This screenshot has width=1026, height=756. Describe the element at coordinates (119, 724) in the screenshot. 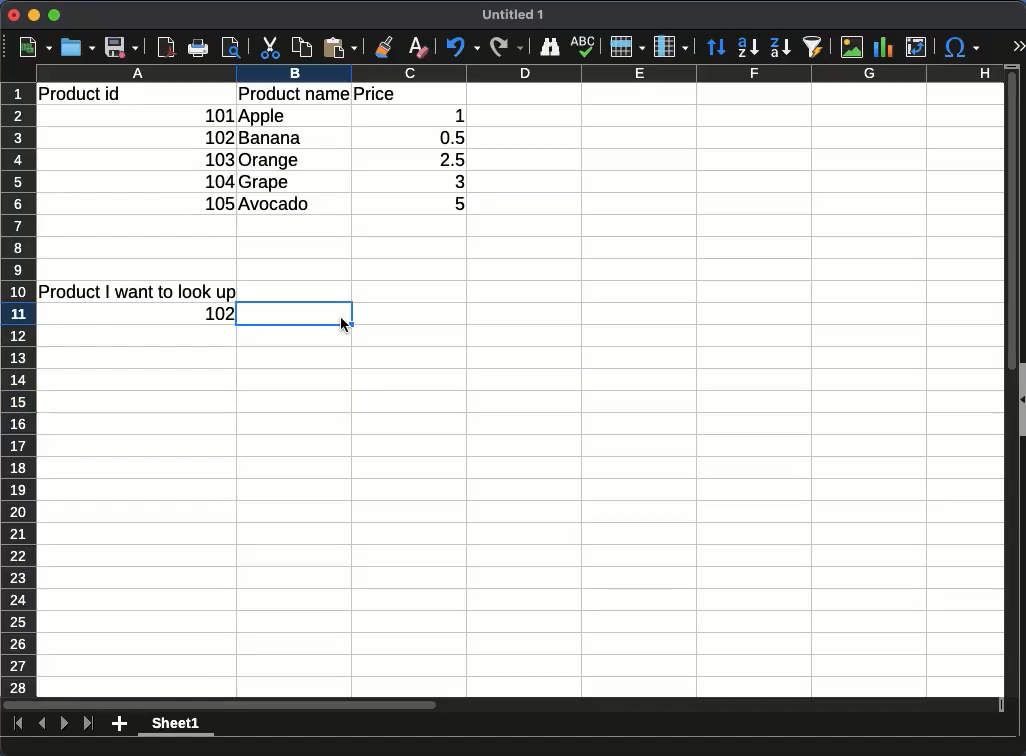

I see `add` at that location.